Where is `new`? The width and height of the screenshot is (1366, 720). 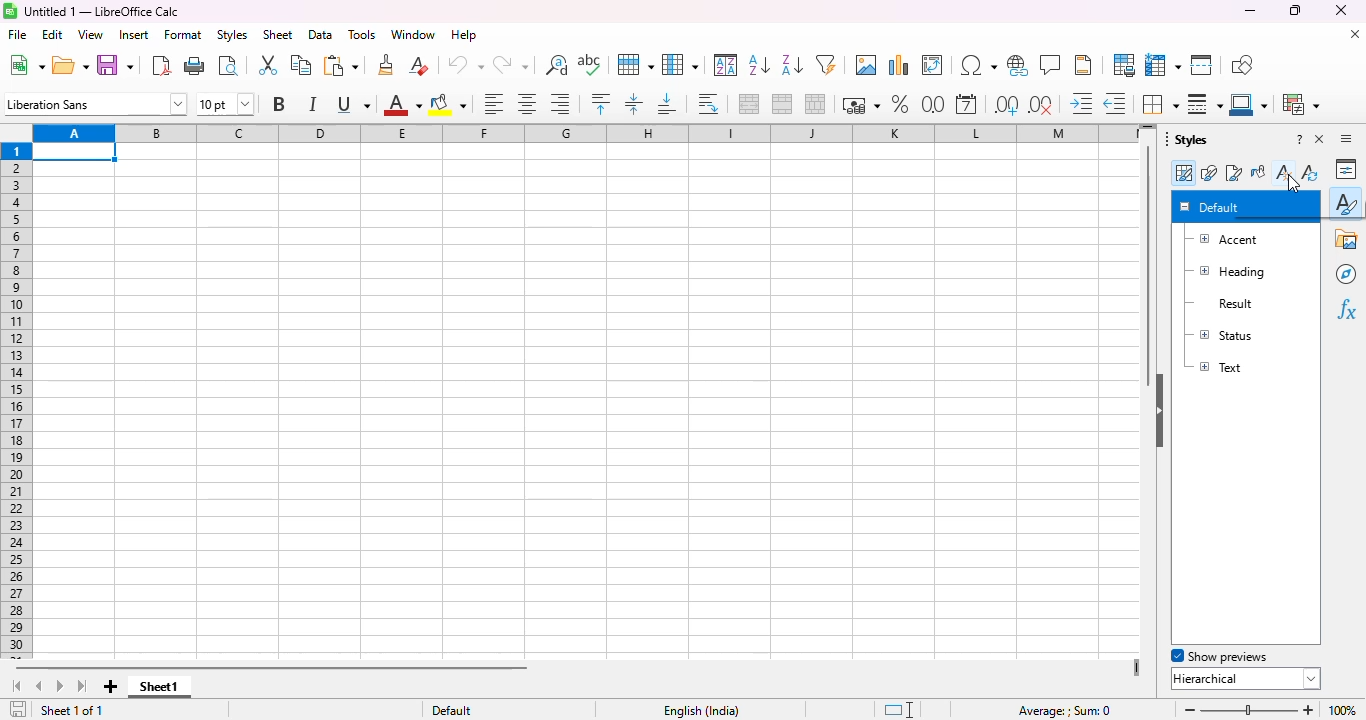 new is located at coordinates (25, 65).